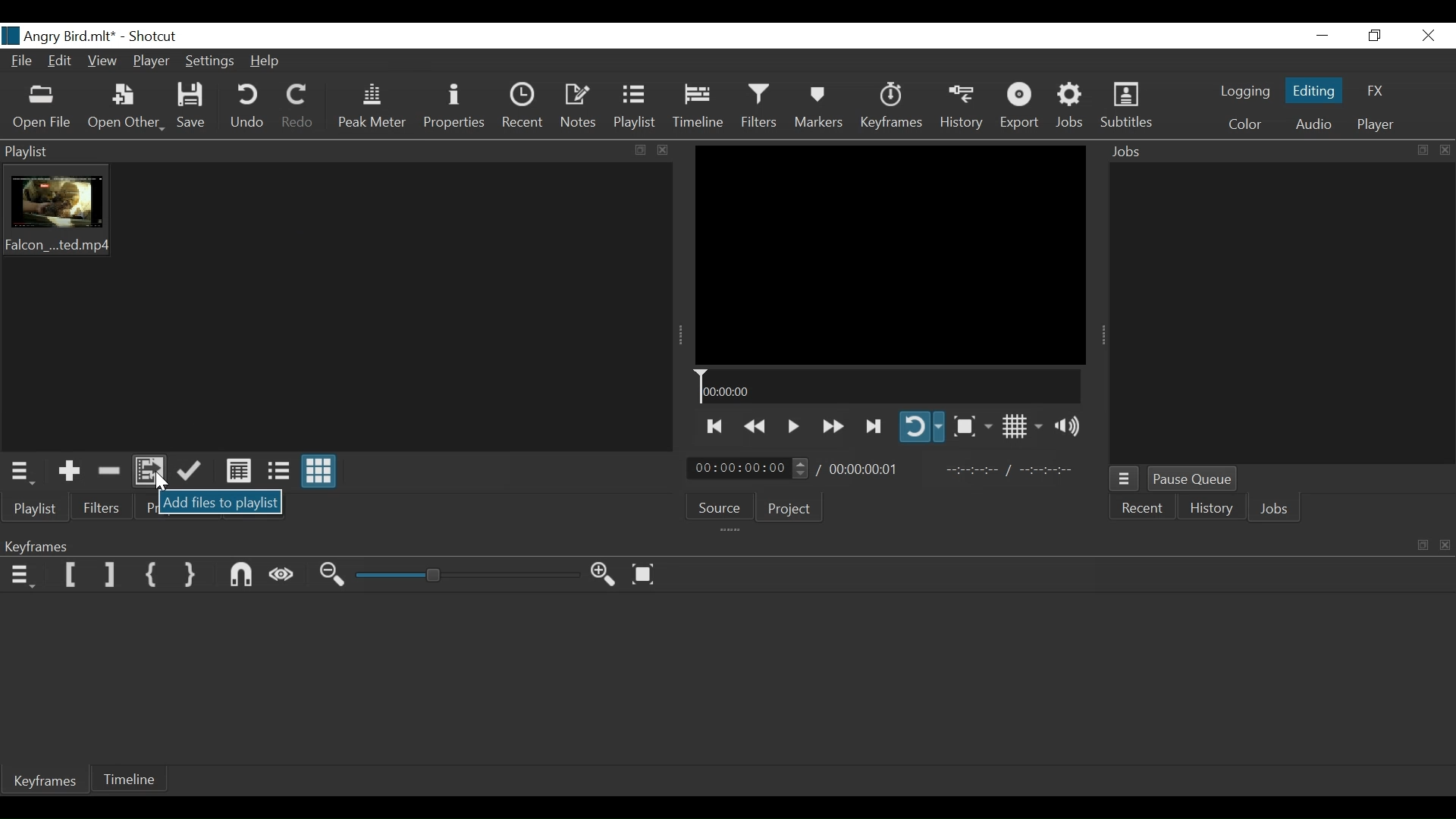 Image resolution: width=1456 pixels, height=819 pixels. Describe the element at coordinates (638, 108) in the screenshot. I see `Playlist` at that location.